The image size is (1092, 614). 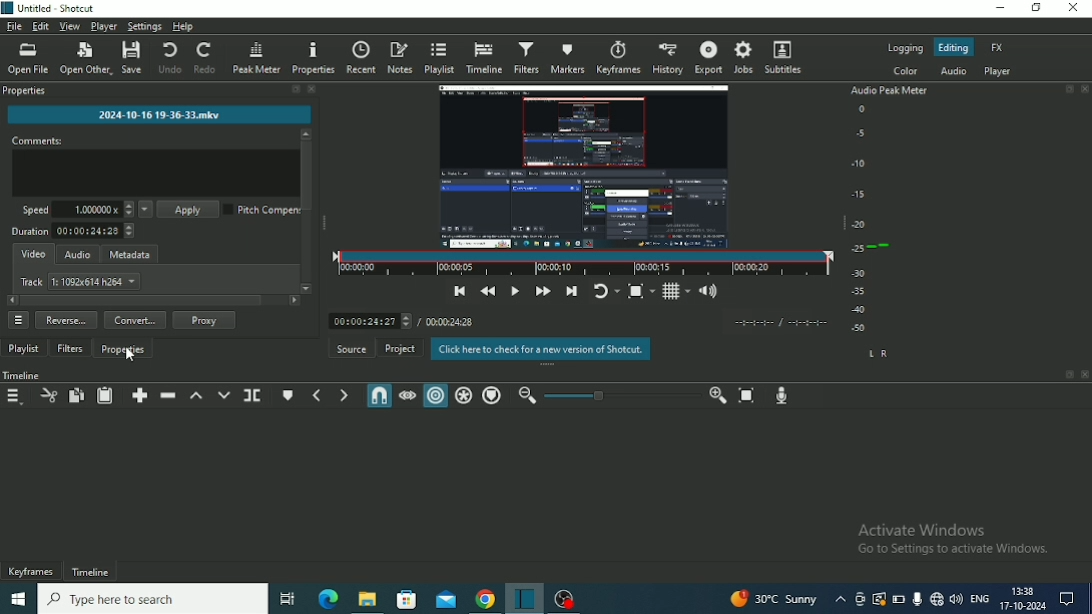 I want to click on Editing, so click(x=955, y=47).